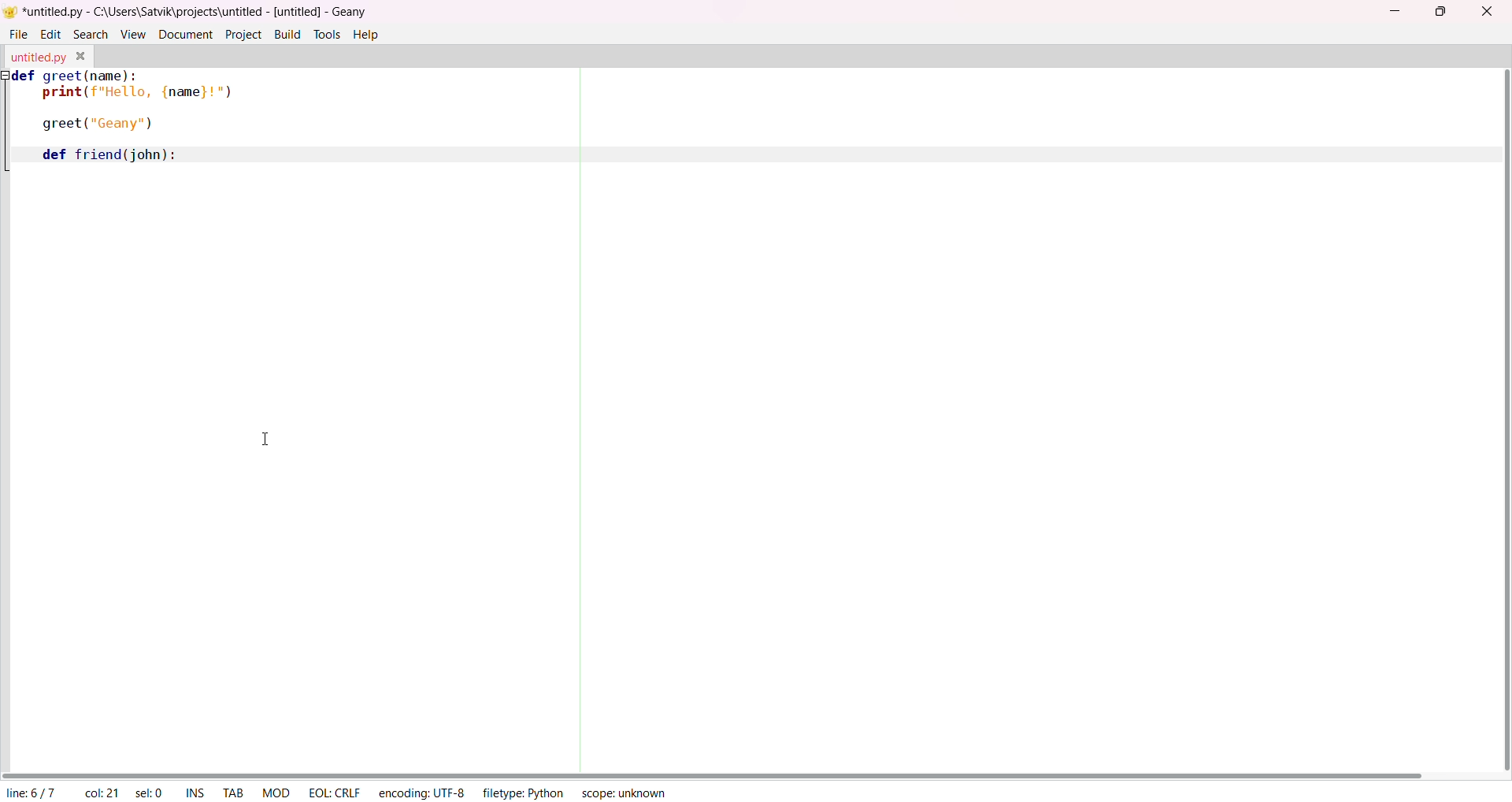 The image size is (1512, 802). Describe the element at coordinates (17, 35) in the screenshot. I see `file` at that location.